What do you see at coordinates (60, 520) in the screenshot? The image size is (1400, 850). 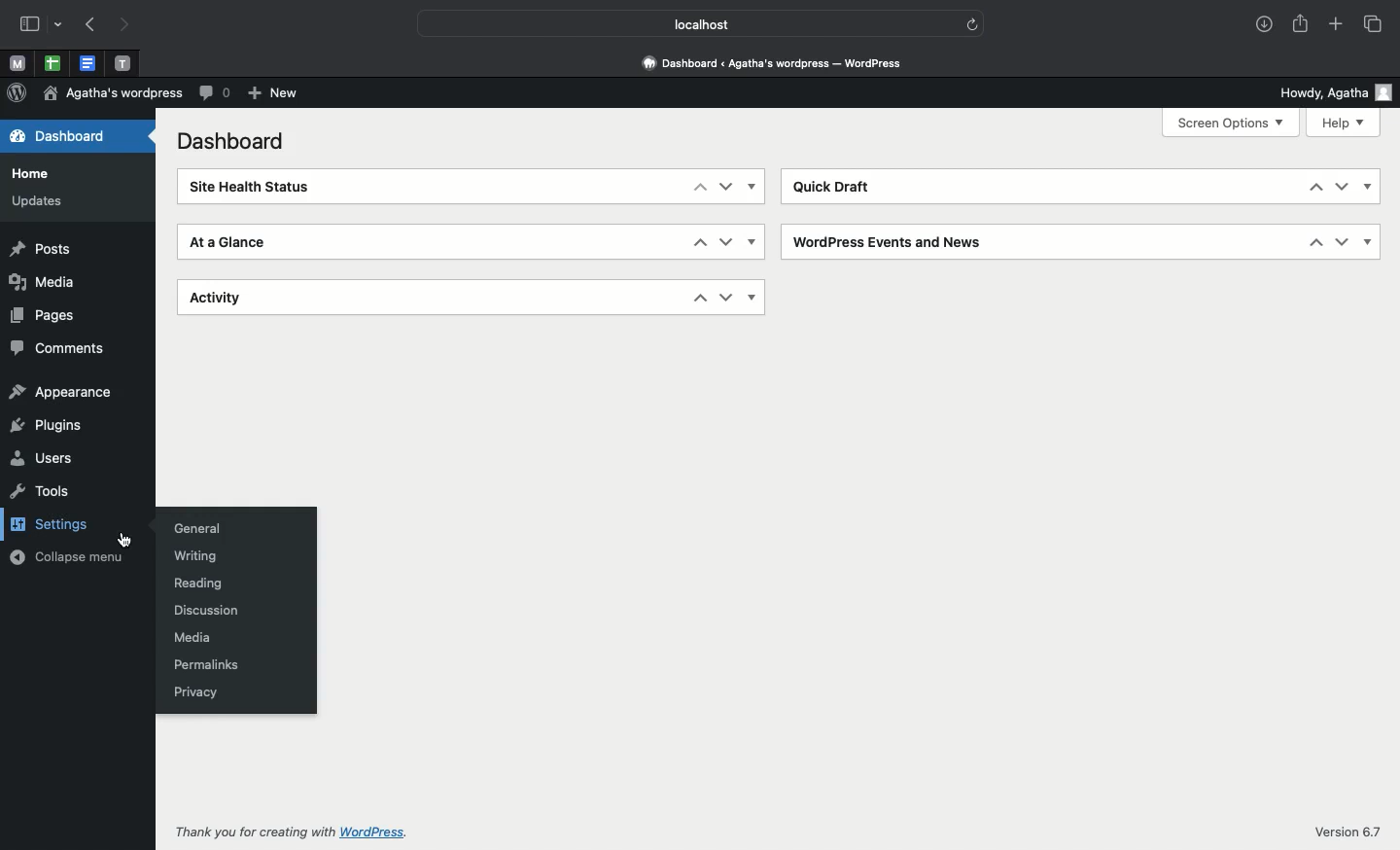 I see `Settings` at bounding box center [60, 520].